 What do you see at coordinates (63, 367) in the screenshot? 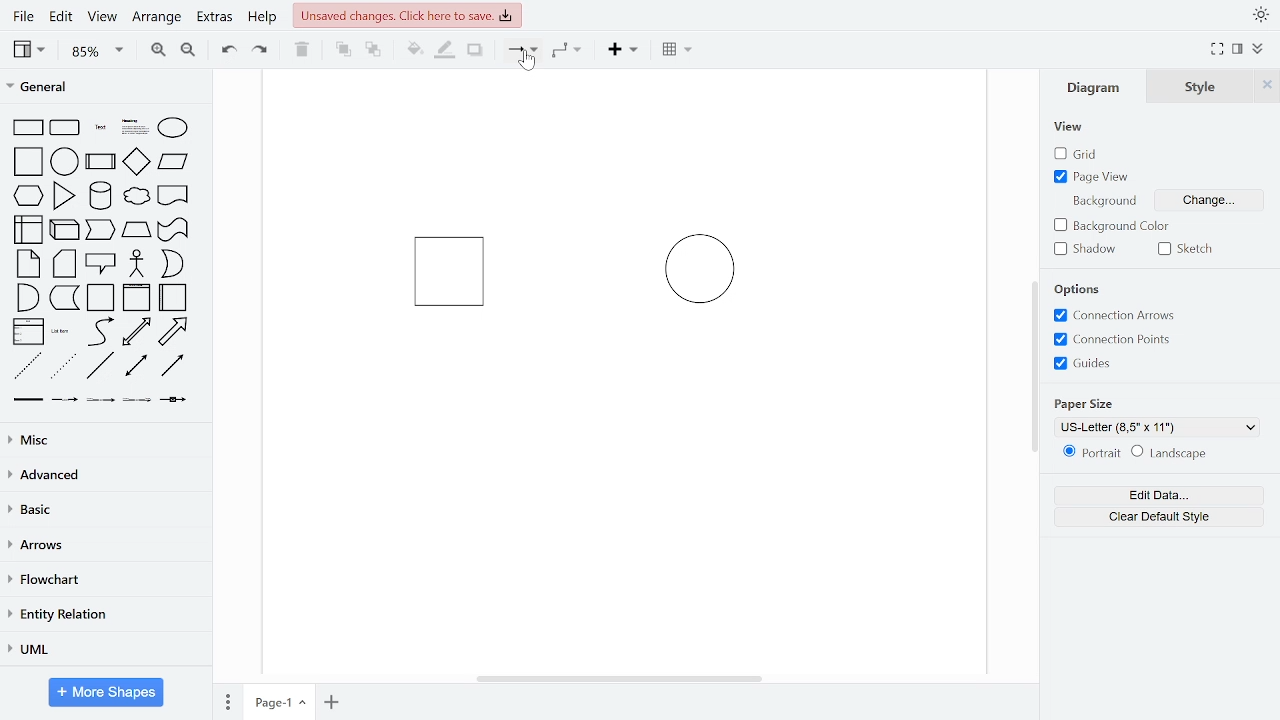
I see `dotted line` at bounding box center [63, 367].